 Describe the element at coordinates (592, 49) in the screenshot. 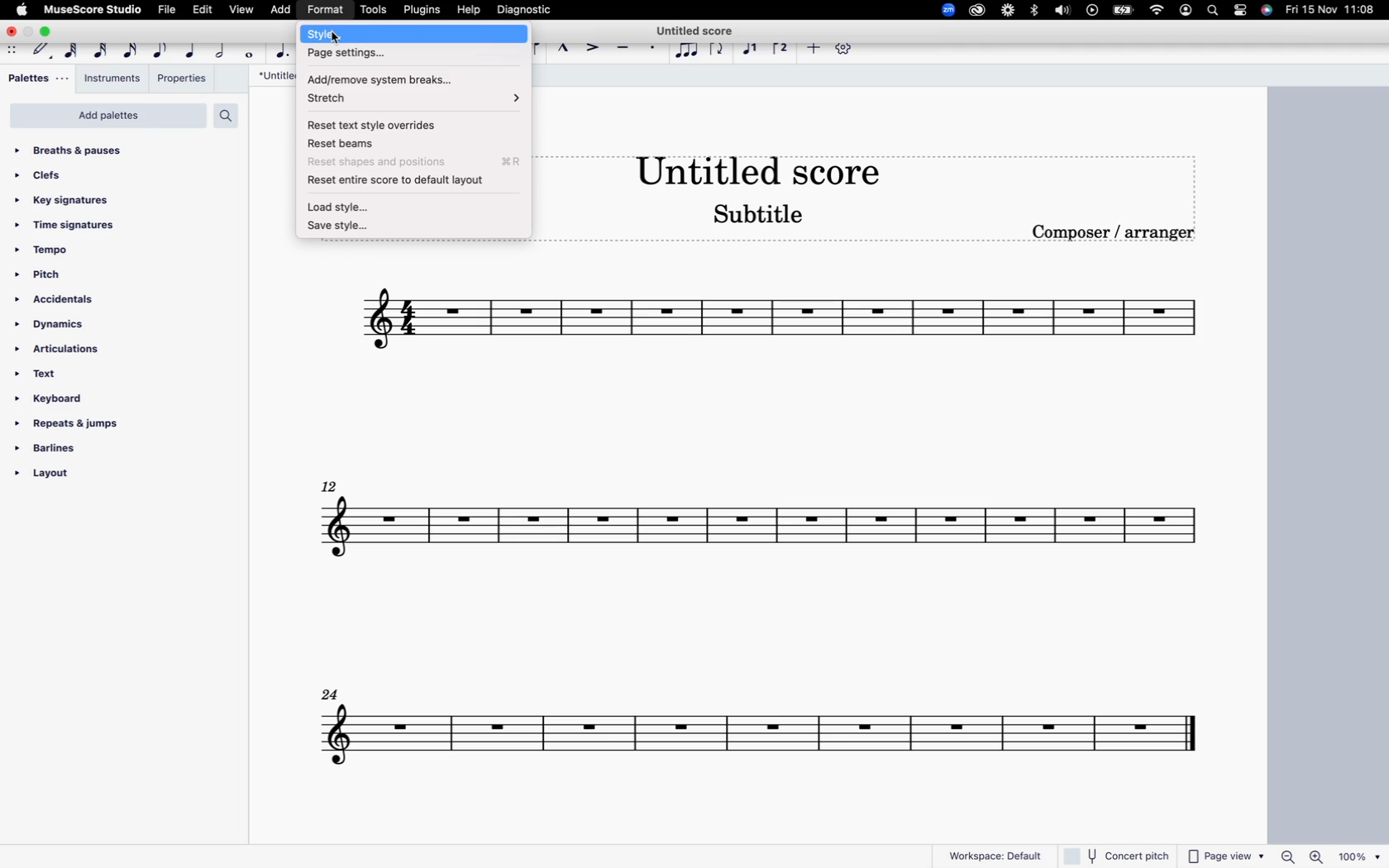

I see `accent` at that location.